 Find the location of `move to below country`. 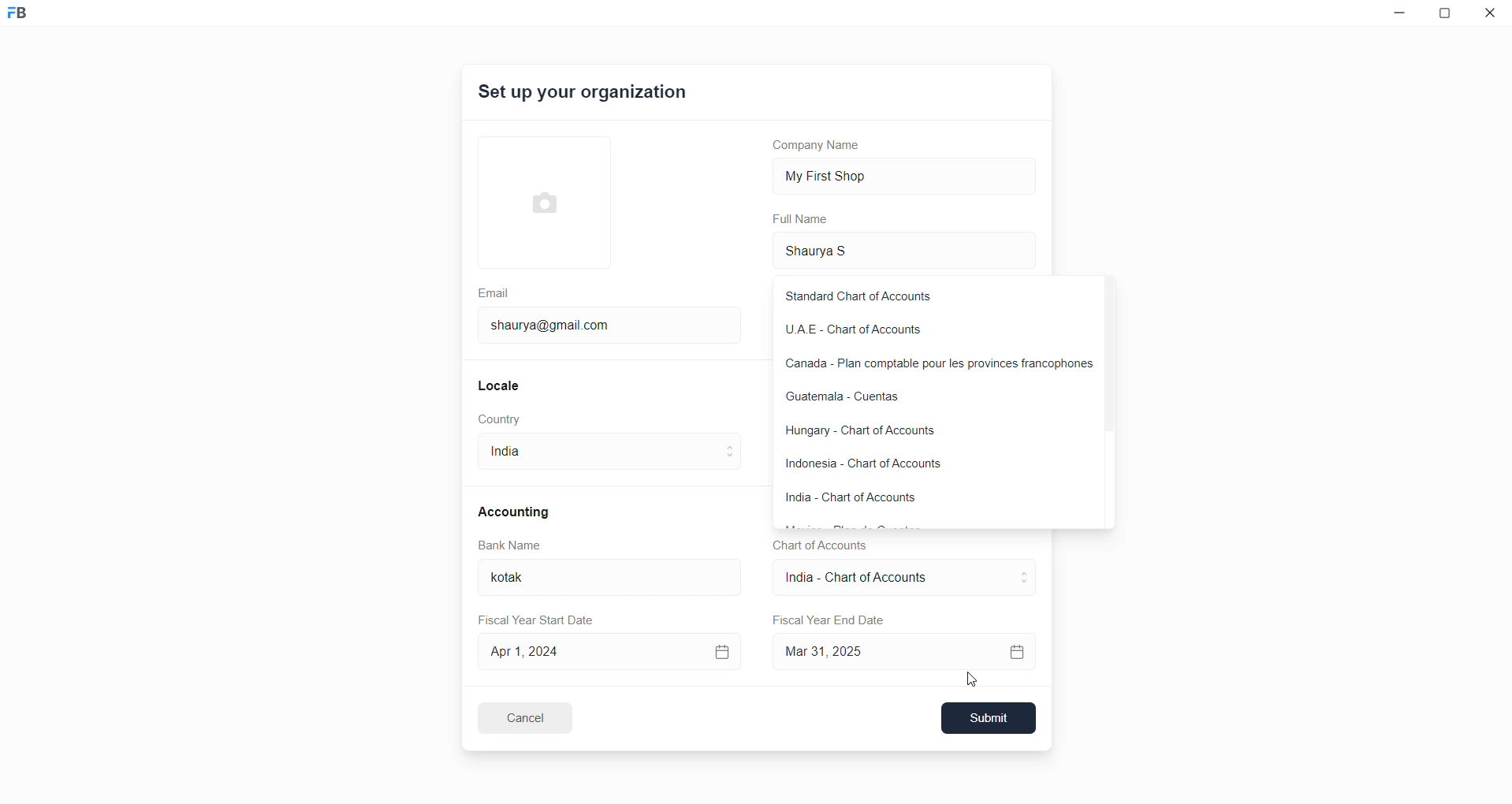

move to below country is located at coordinates (733, 461).